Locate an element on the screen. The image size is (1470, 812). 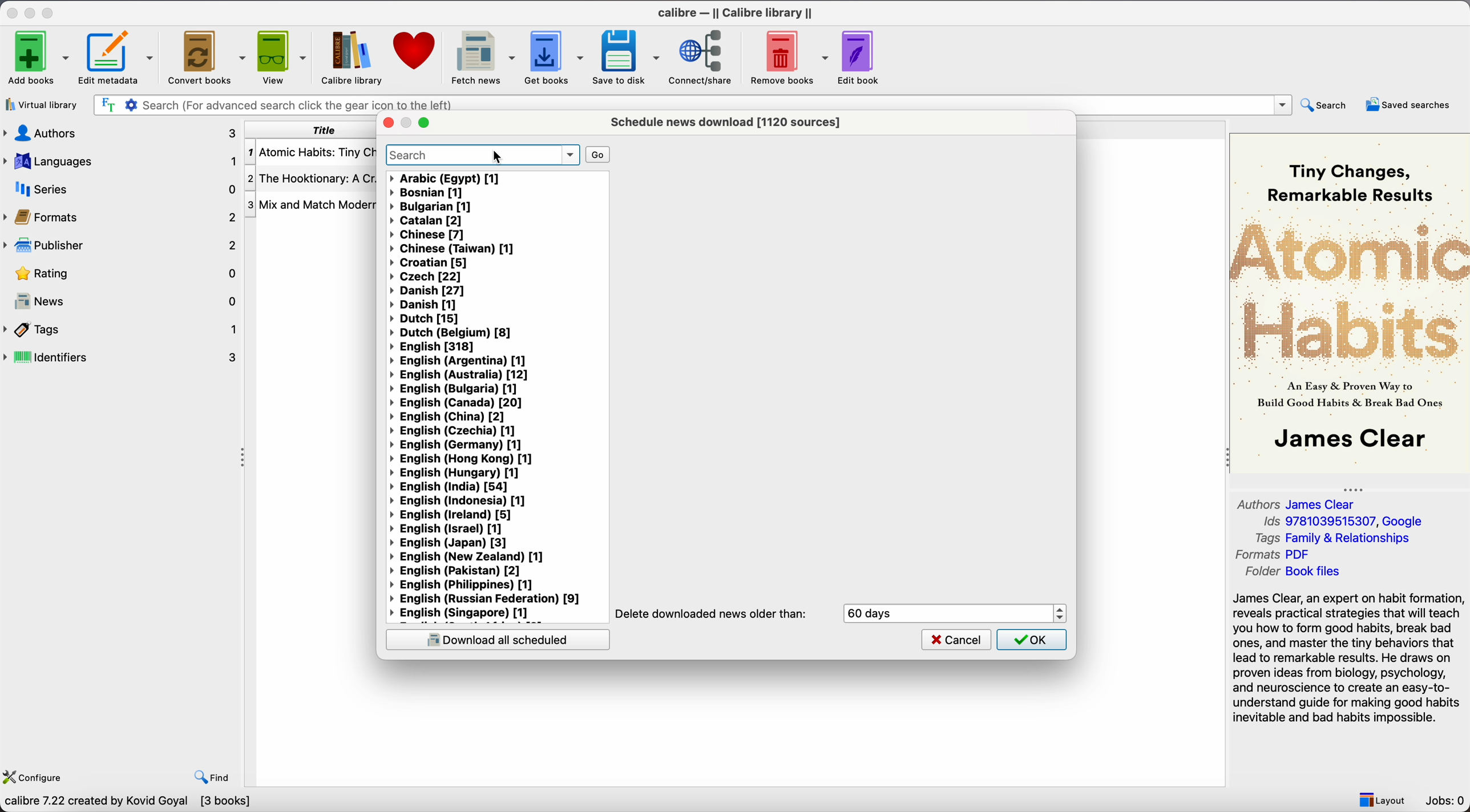
English (Hong Kong) [1] is located at coordinates (462, 459).